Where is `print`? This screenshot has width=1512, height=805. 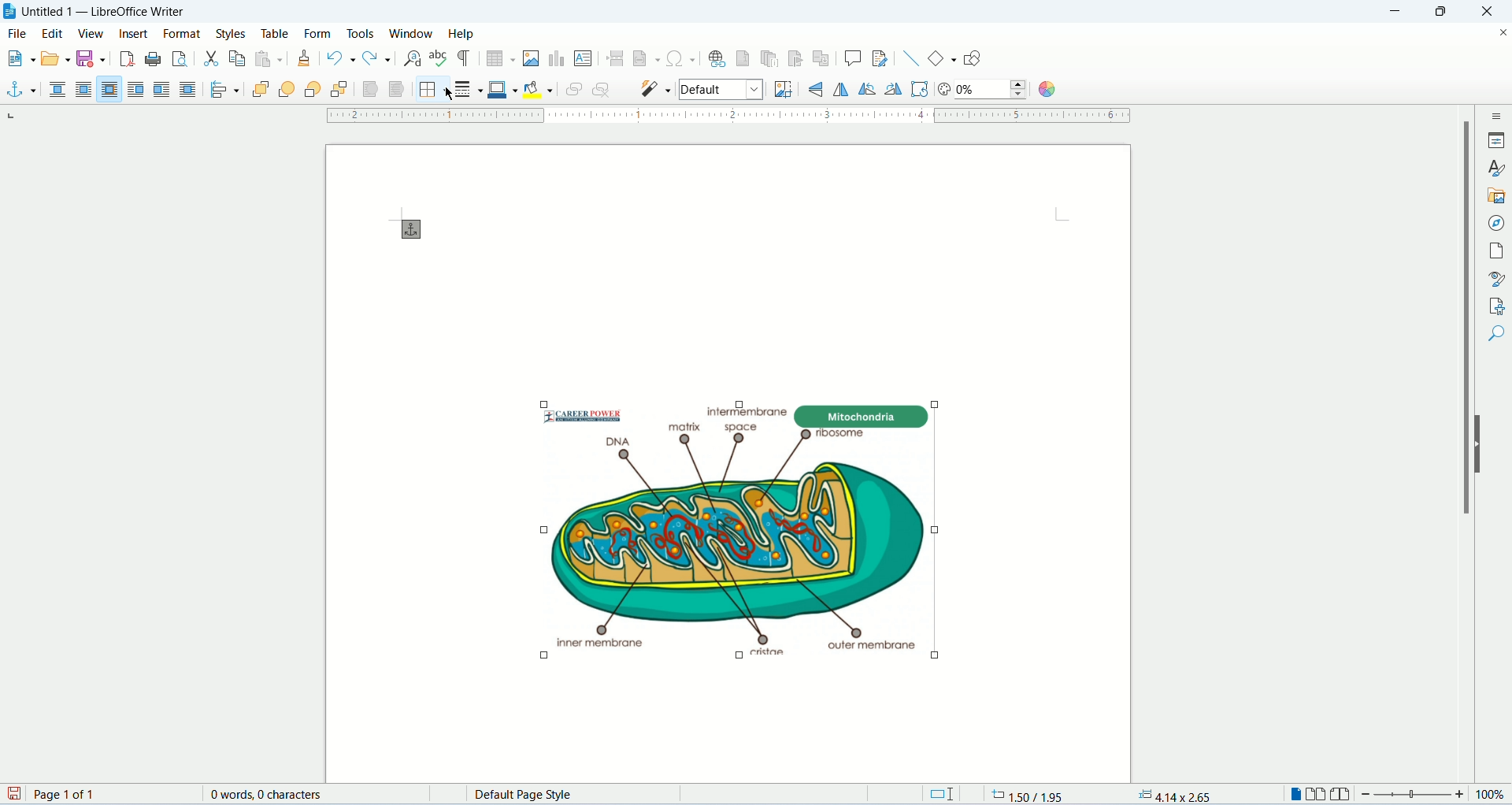
print is located at coordinates (153, 59).